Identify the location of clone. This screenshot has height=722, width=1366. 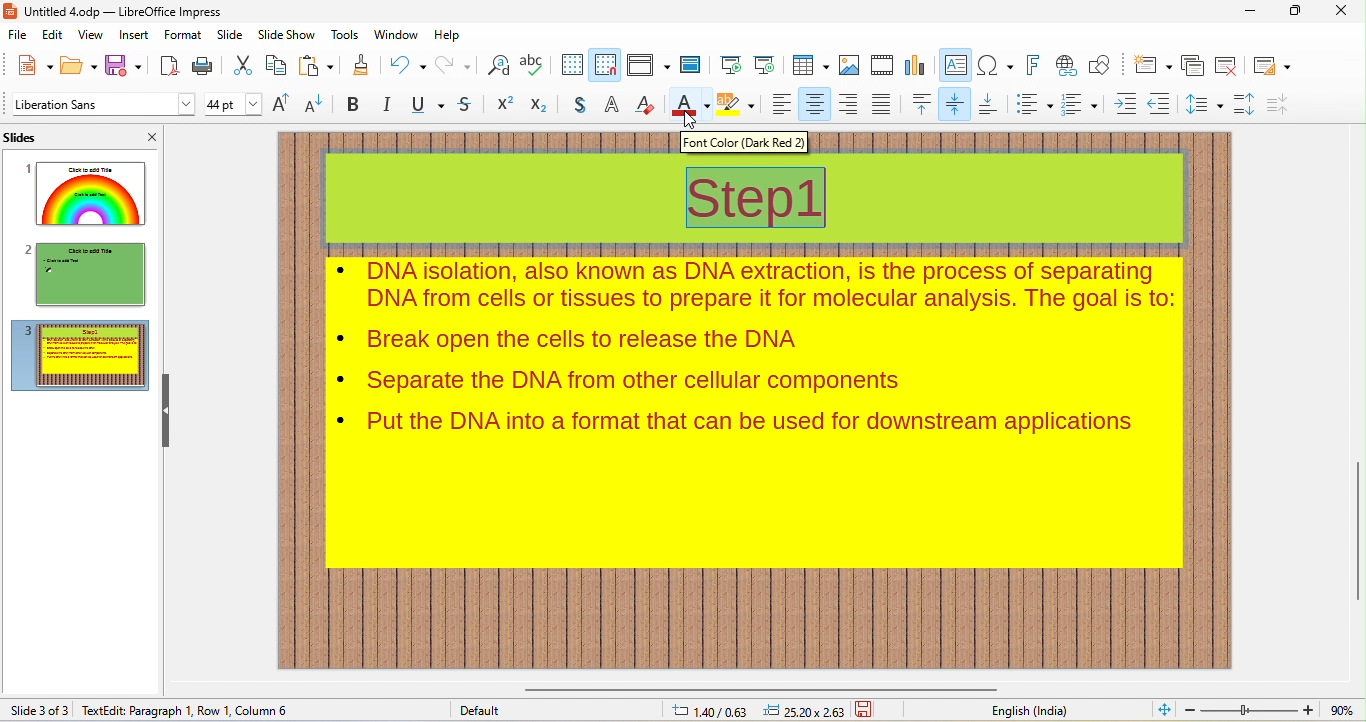
(361, 65).